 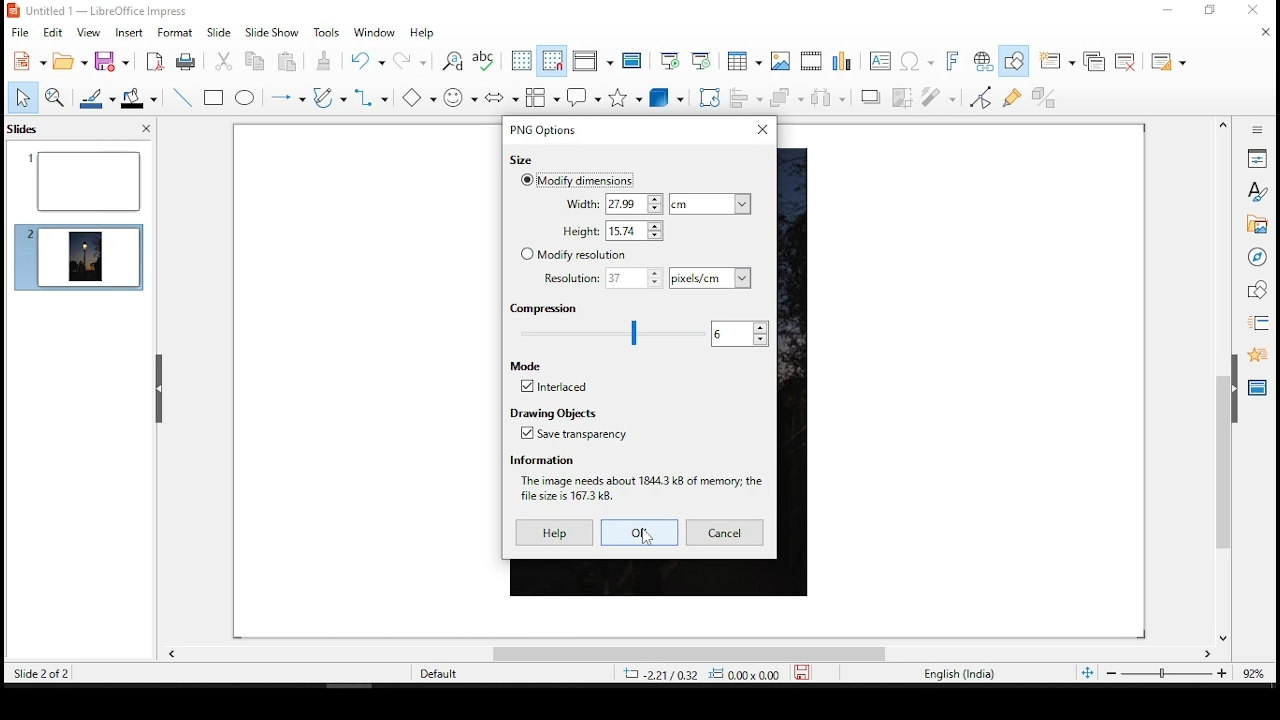 What do you see at coordinates (543, 460) in the screenshot?
I see `information` at bounding box center [543, 460].